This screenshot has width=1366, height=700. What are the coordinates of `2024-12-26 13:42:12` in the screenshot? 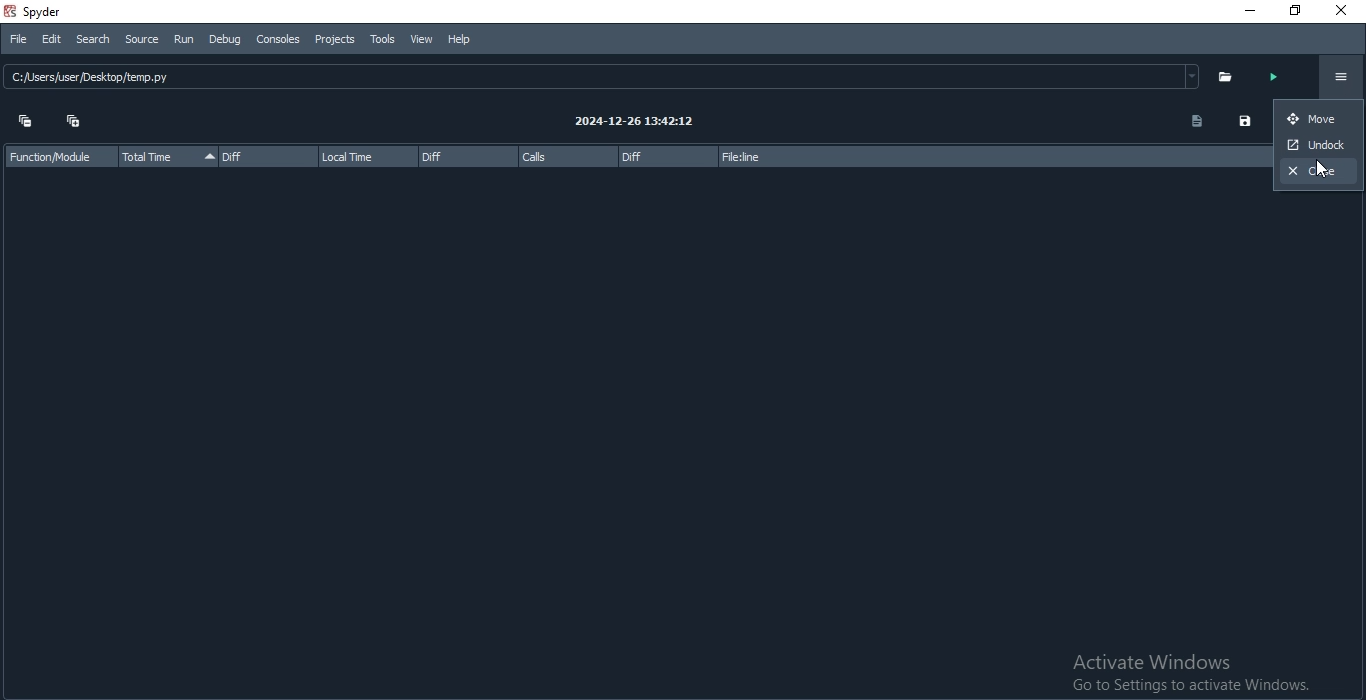 It's located at (637, 120).